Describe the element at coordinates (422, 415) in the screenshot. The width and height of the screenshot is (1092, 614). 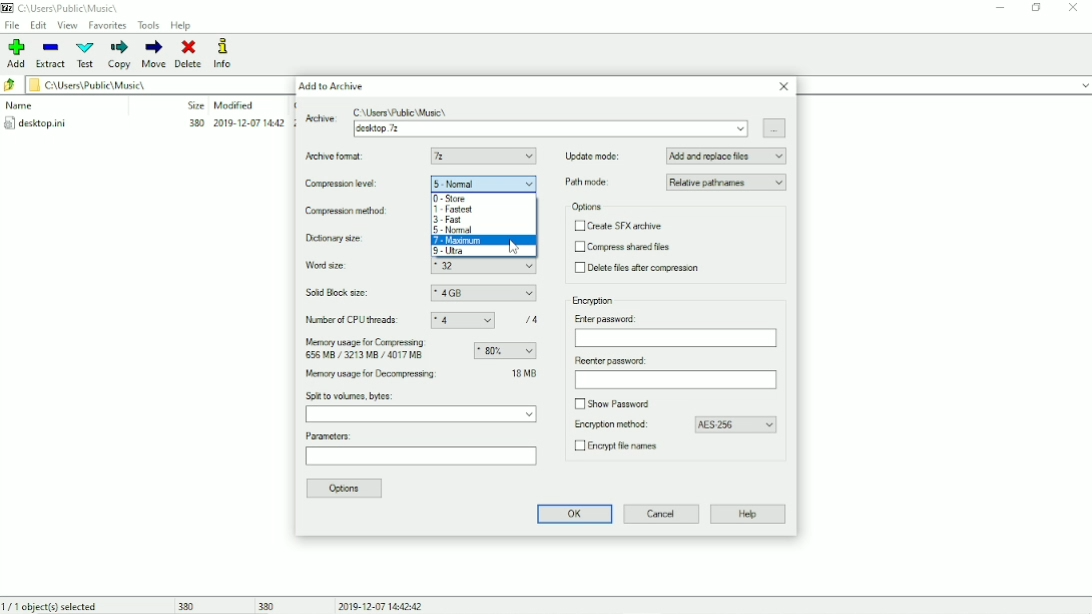
I see `Split to volumes` at that location.